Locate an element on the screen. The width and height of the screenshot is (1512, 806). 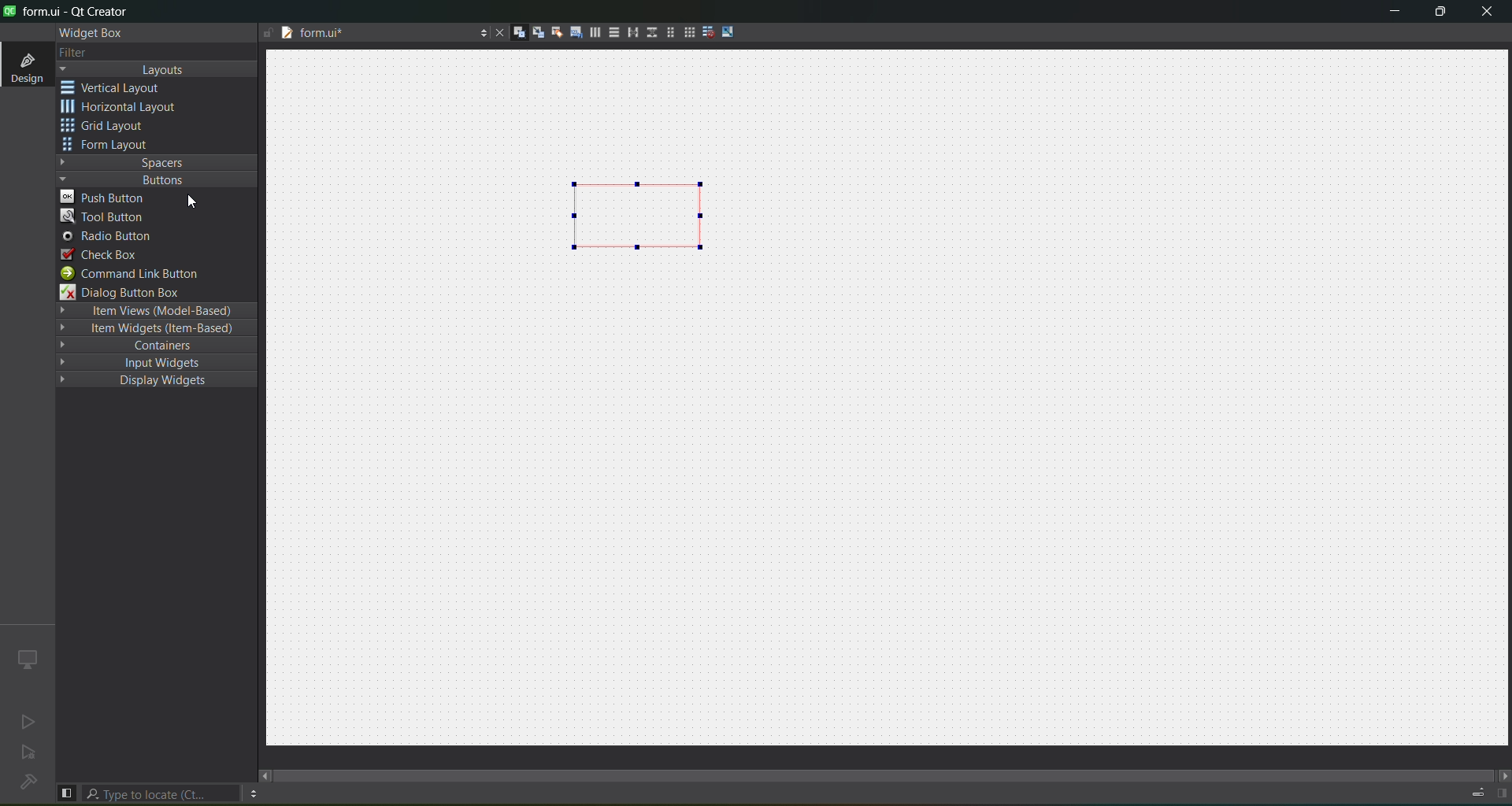
Progress details is located at coordinates (1470, 790).